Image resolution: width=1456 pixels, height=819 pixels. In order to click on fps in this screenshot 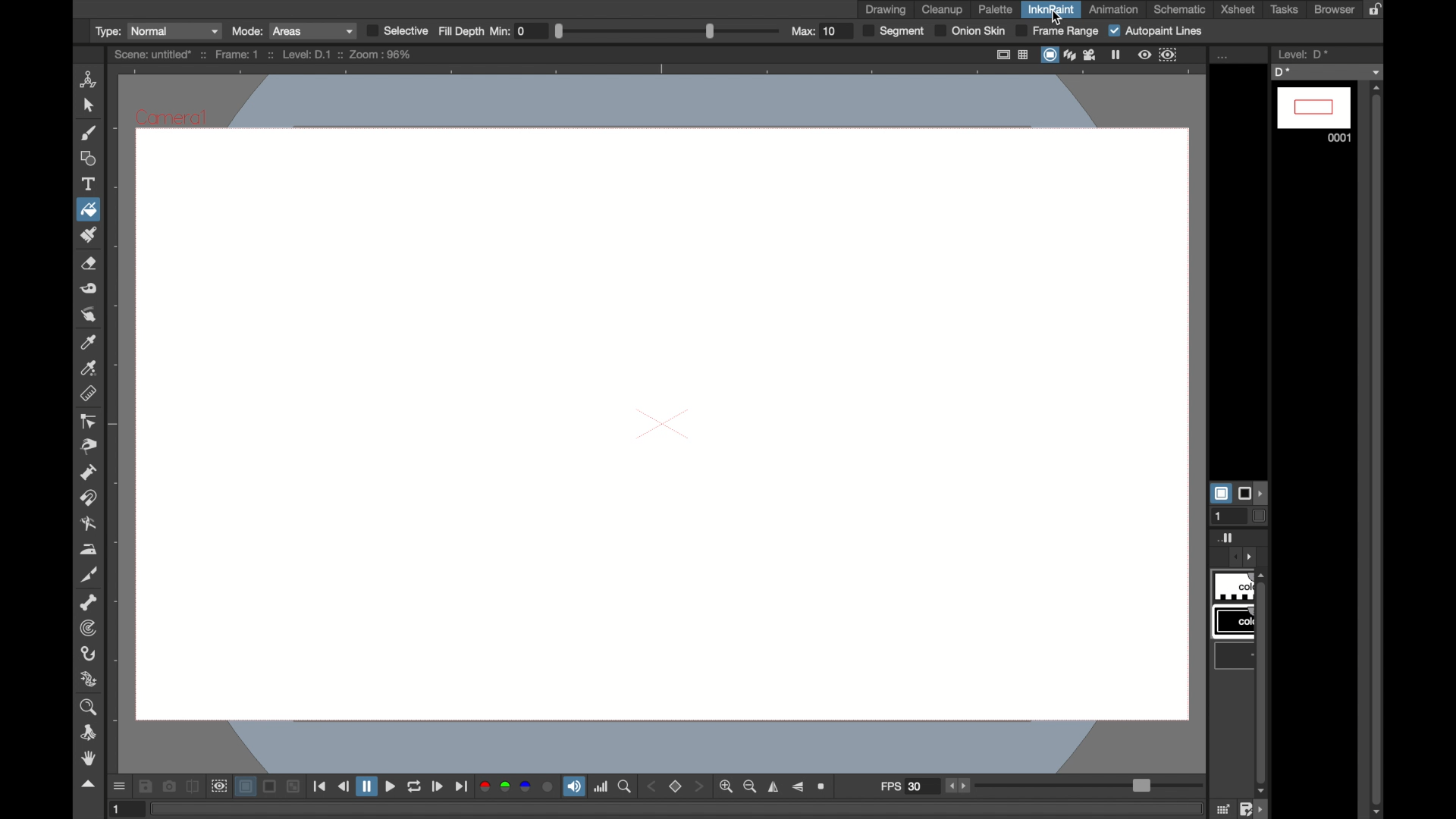, I will do `click(902, 788)`.